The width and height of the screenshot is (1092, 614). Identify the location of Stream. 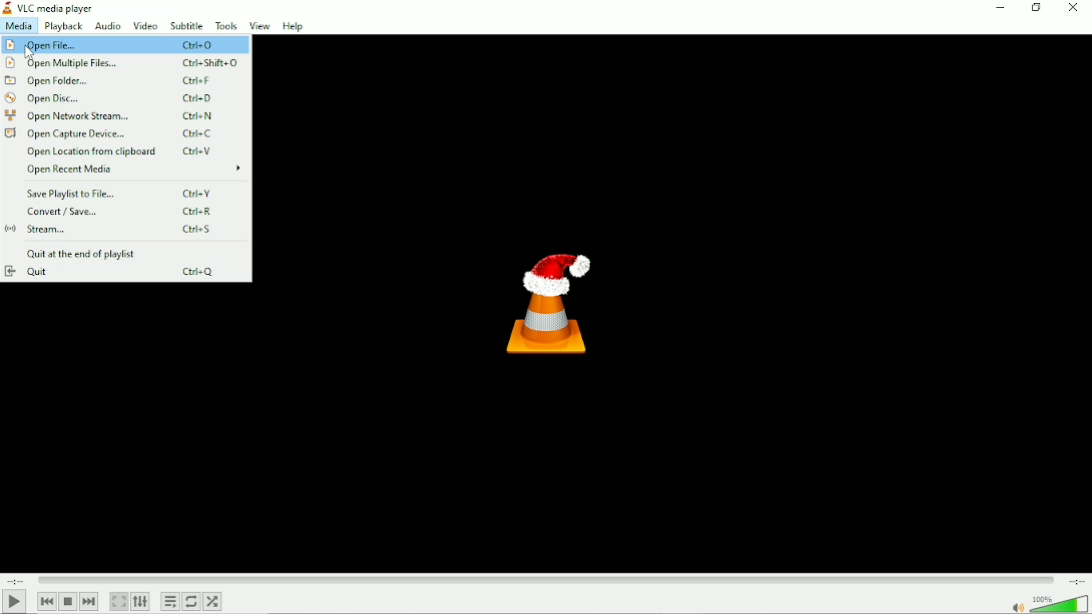
(122, 230).